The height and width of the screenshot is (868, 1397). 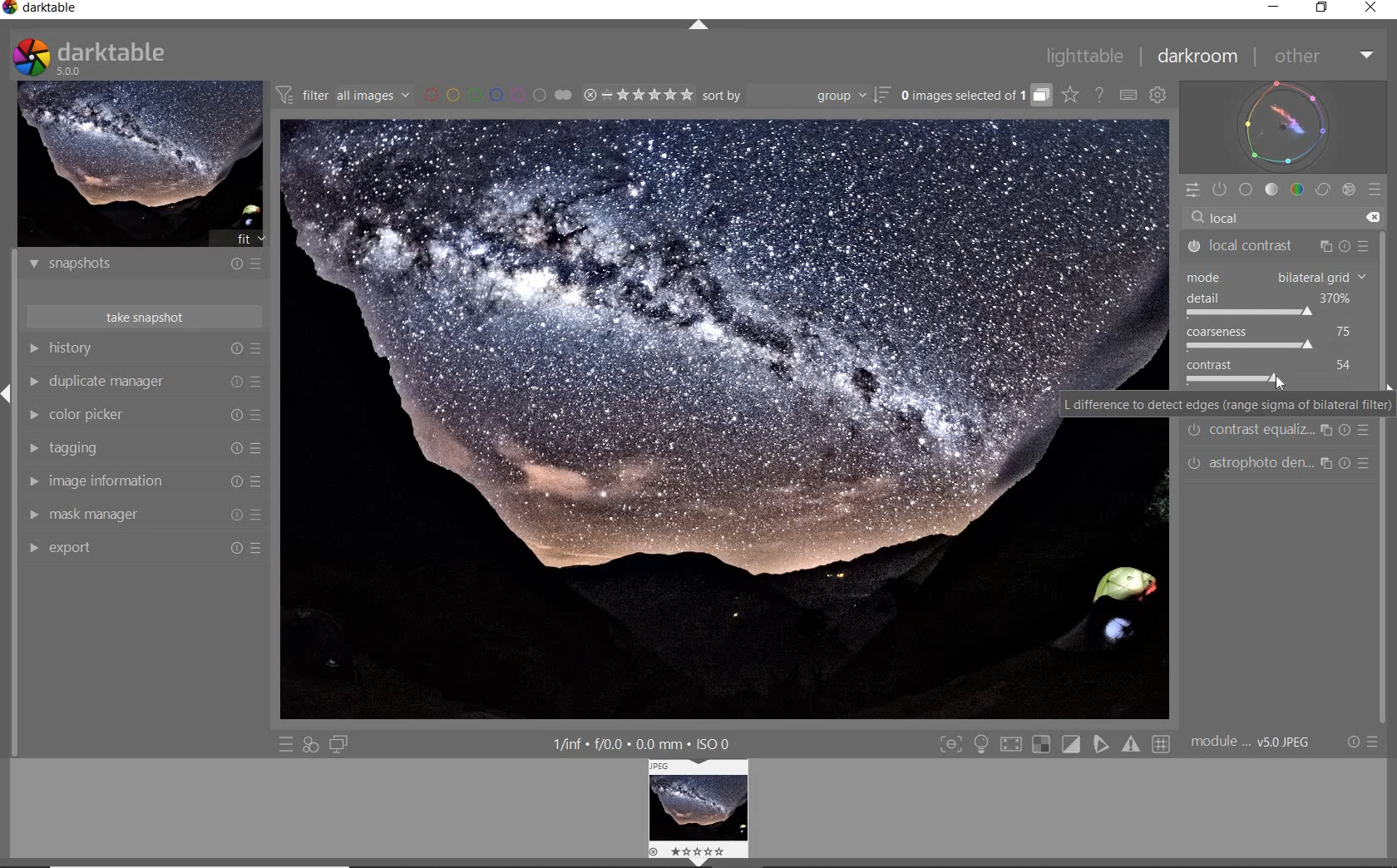 I want to click on HELP ONLINE, so click(x=1098, y=95).